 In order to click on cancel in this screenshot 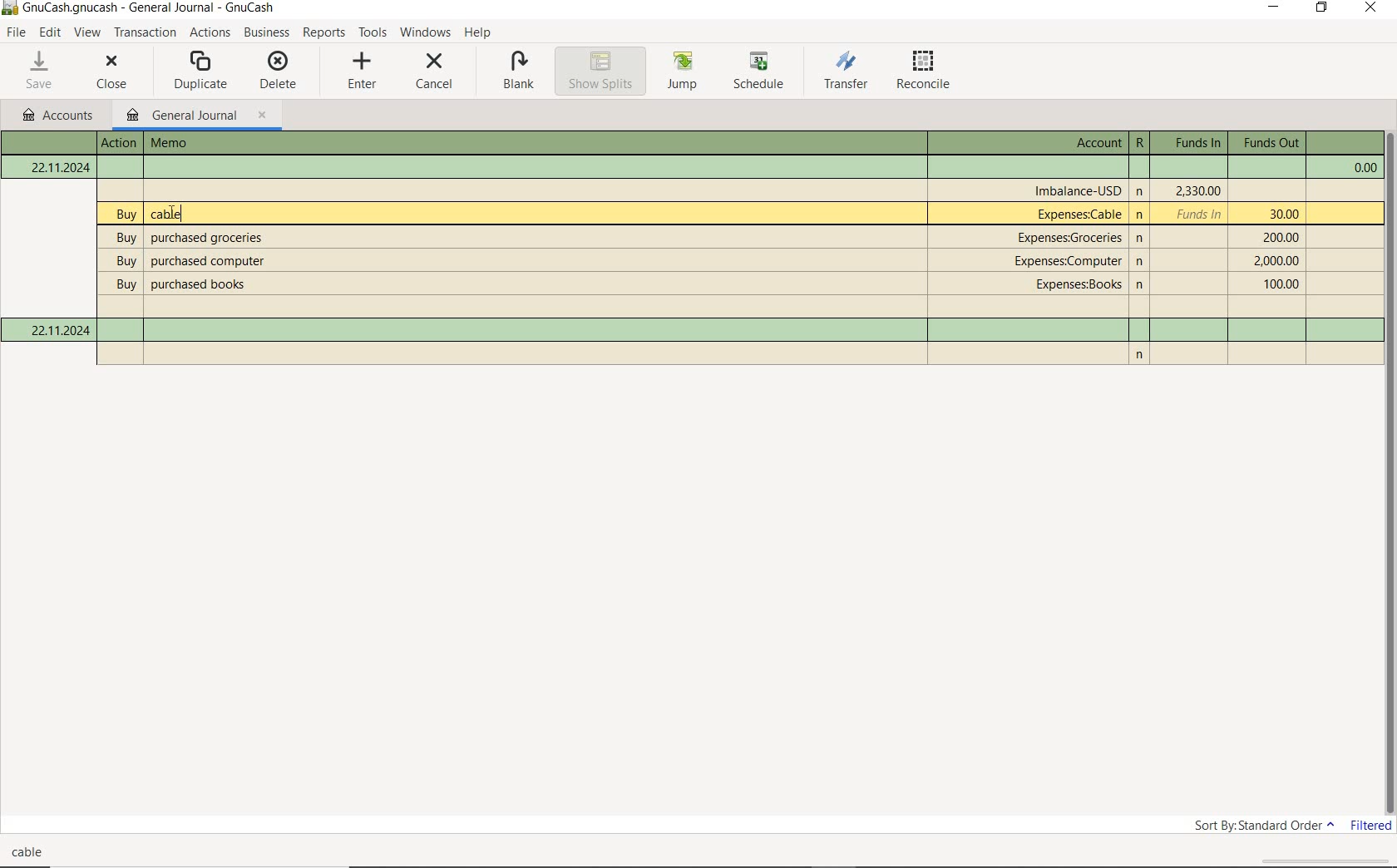, I will do `click(434, 74)`.